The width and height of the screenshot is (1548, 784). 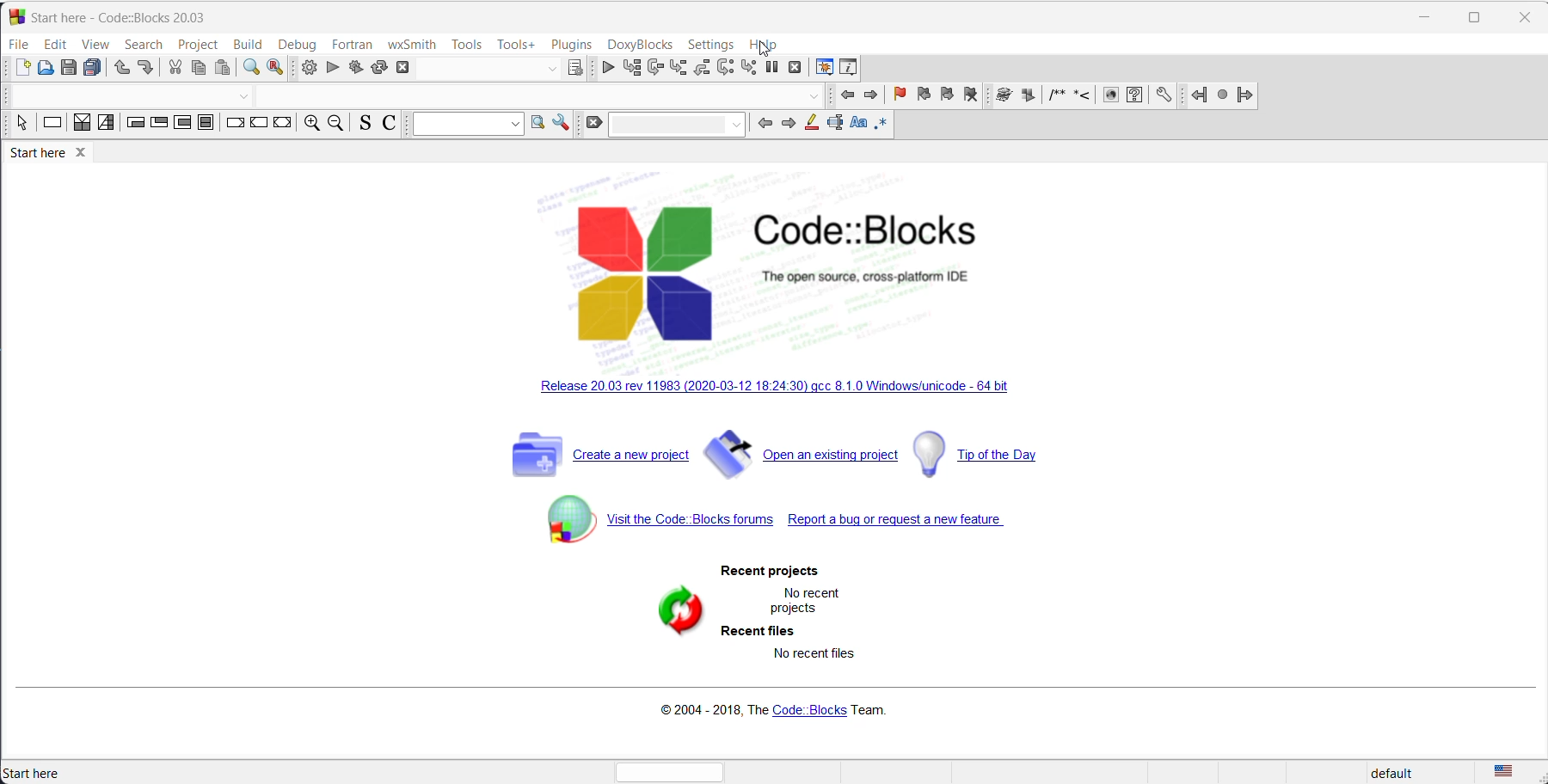 I want to click on decision , so click(x=81, y=124).